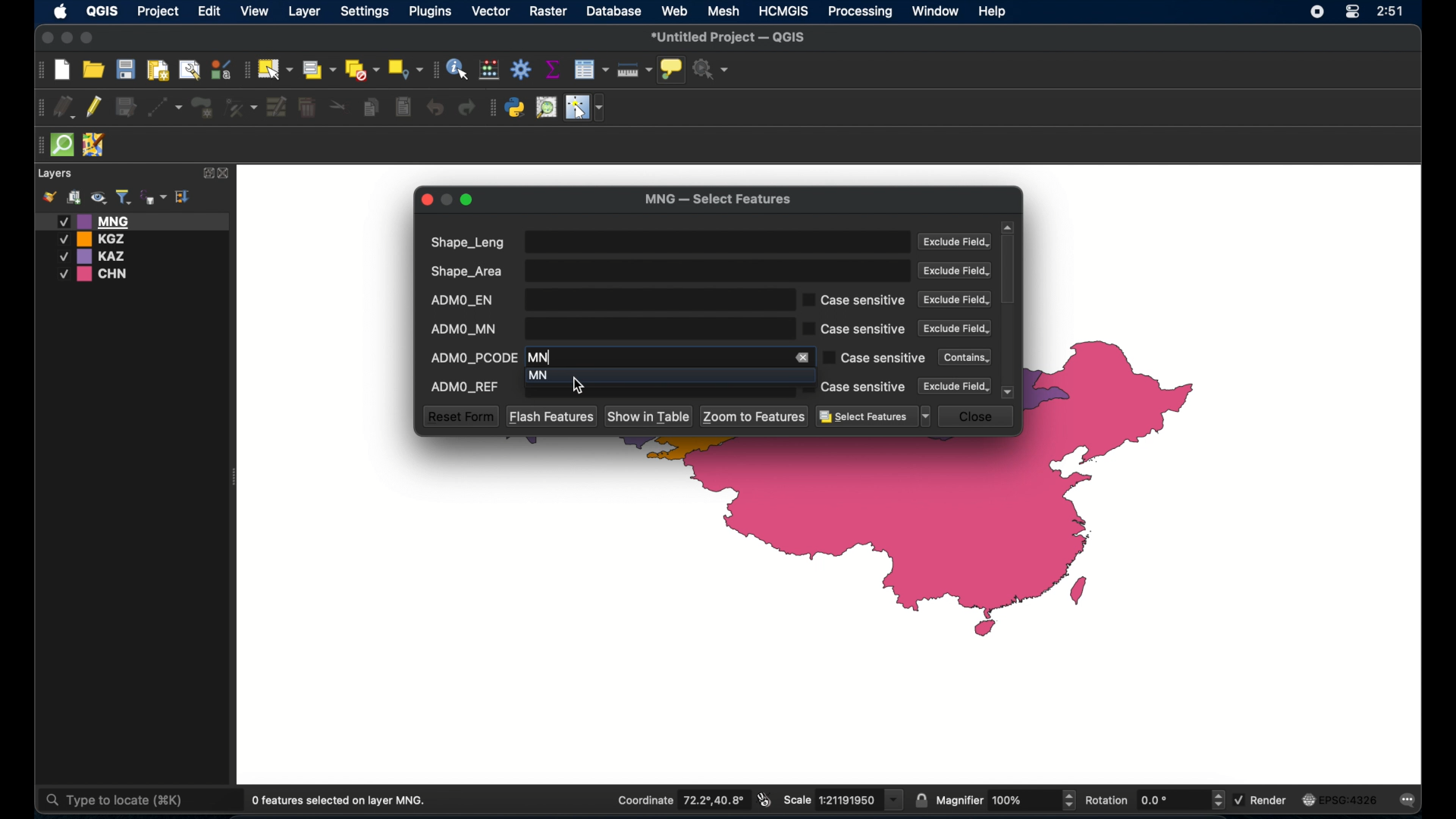  What do you see at coordinates (492, 11) in the screenshot?
I see `vector` at bounding box center [492, 11].